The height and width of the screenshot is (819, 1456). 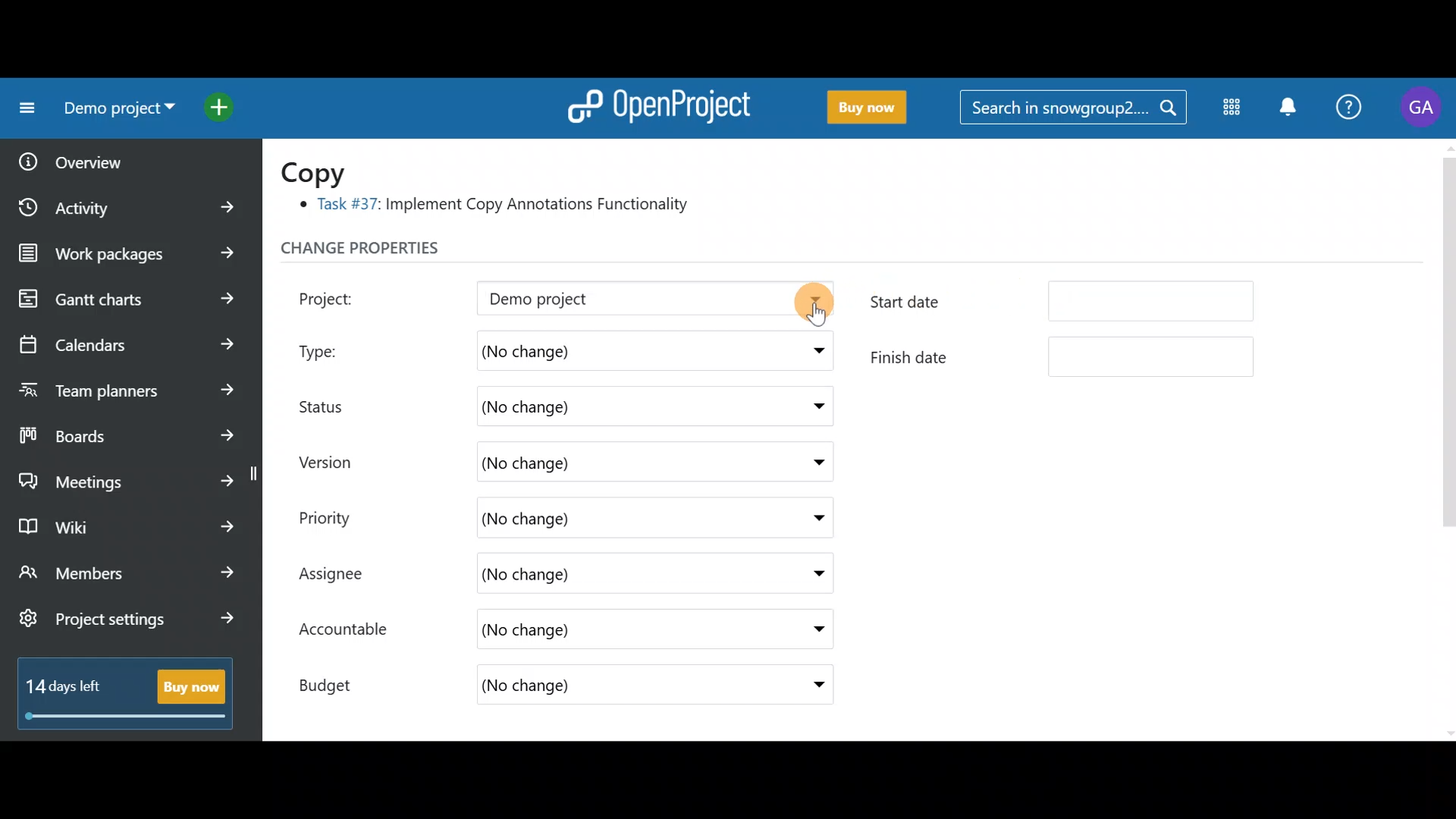 I want to click on Project settings, so click(x=127, y=626).